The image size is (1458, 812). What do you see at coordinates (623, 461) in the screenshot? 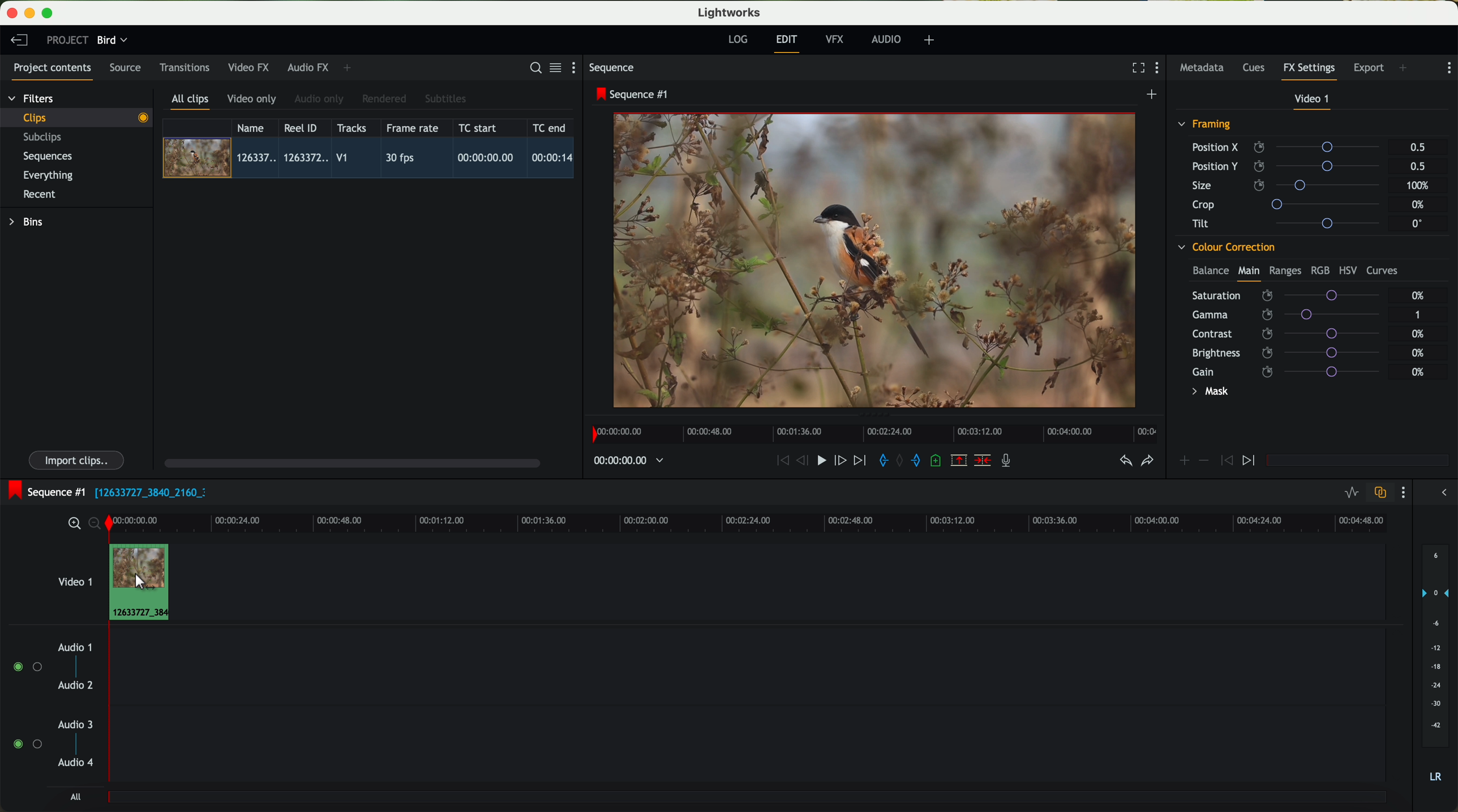
I see `timeline` at bounding box center [623, 461].